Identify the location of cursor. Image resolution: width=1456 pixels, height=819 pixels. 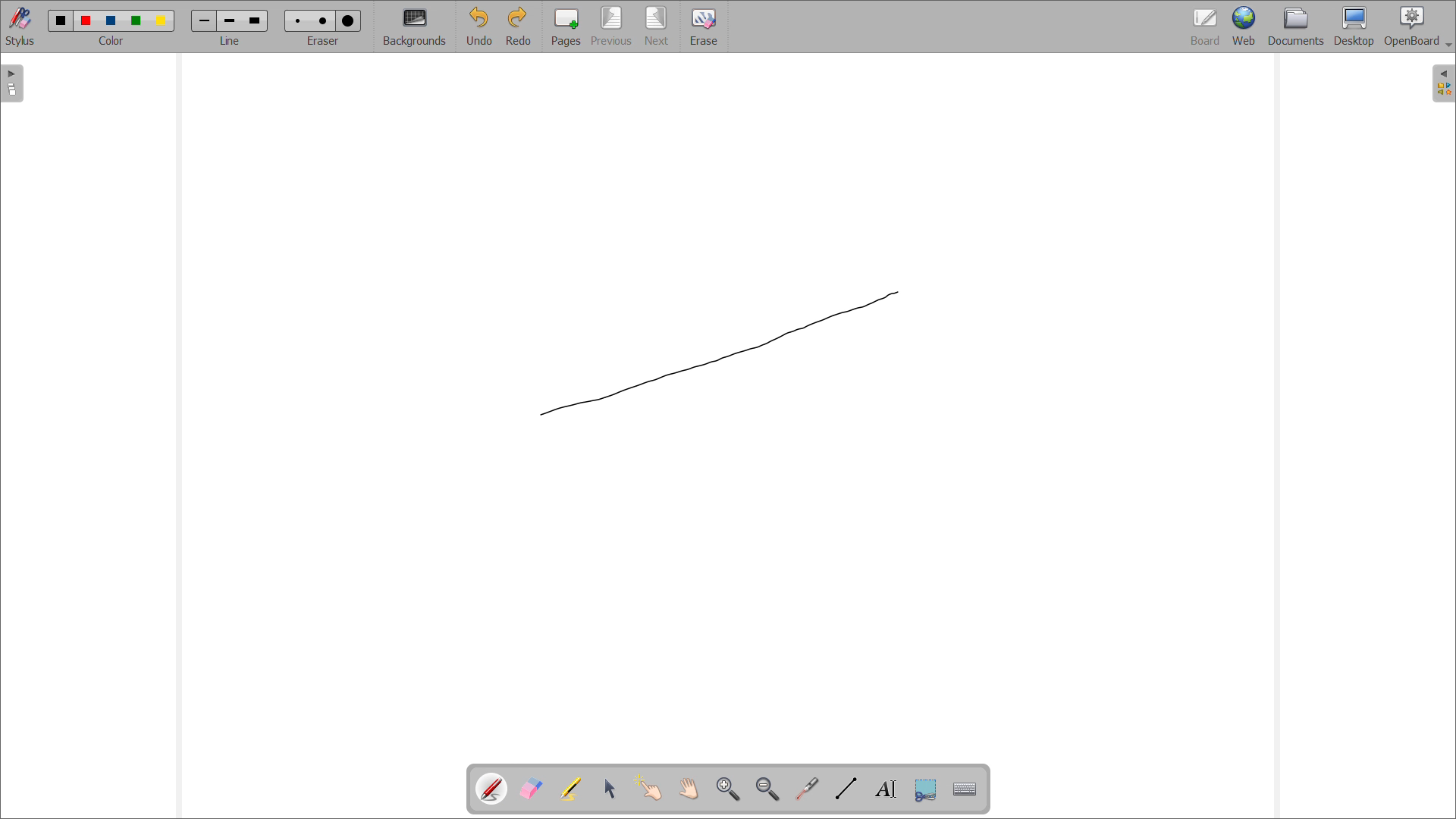
(896, 294).